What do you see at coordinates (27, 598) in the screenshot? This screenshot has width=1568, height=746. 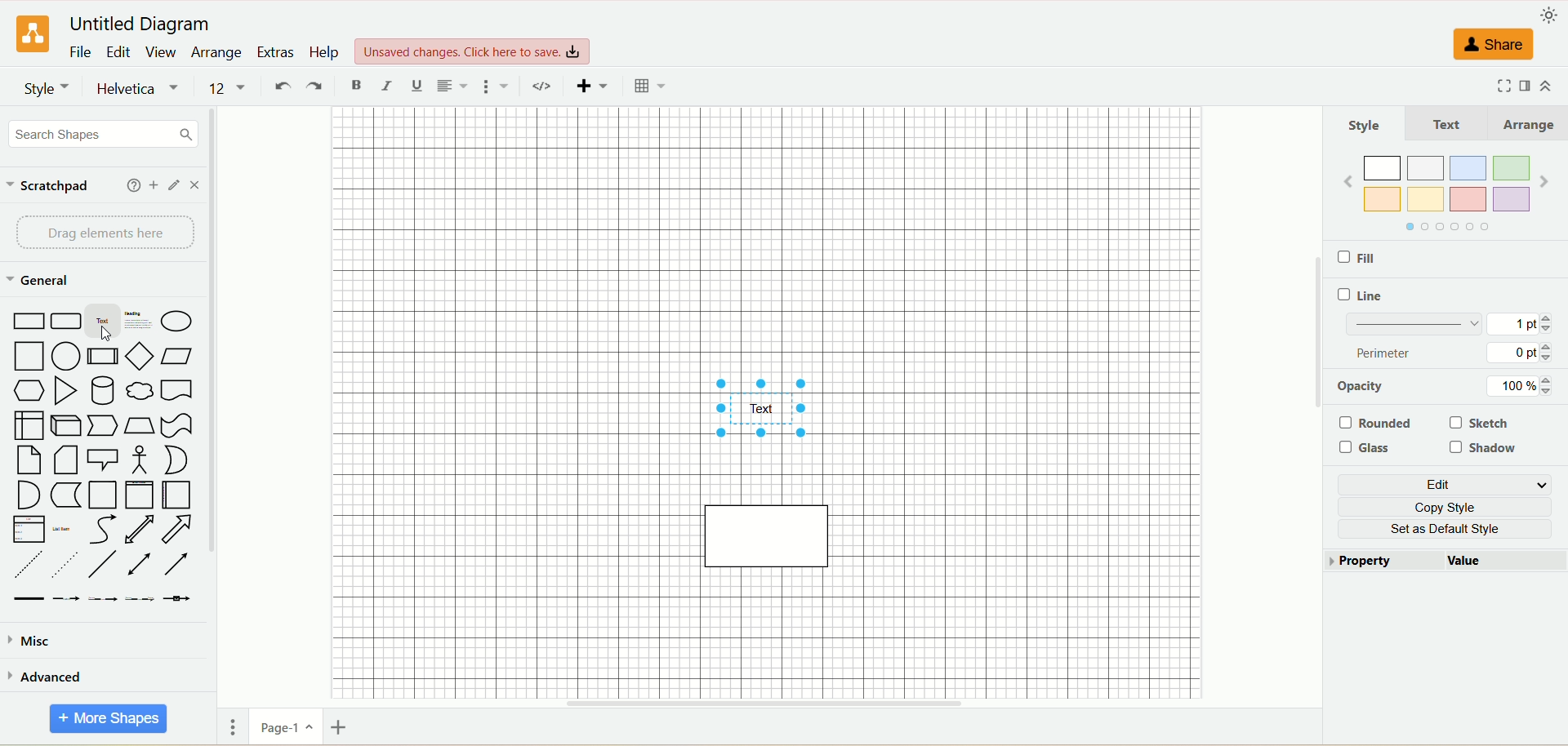 I see `connector 1` at bounding box center [27, 598].